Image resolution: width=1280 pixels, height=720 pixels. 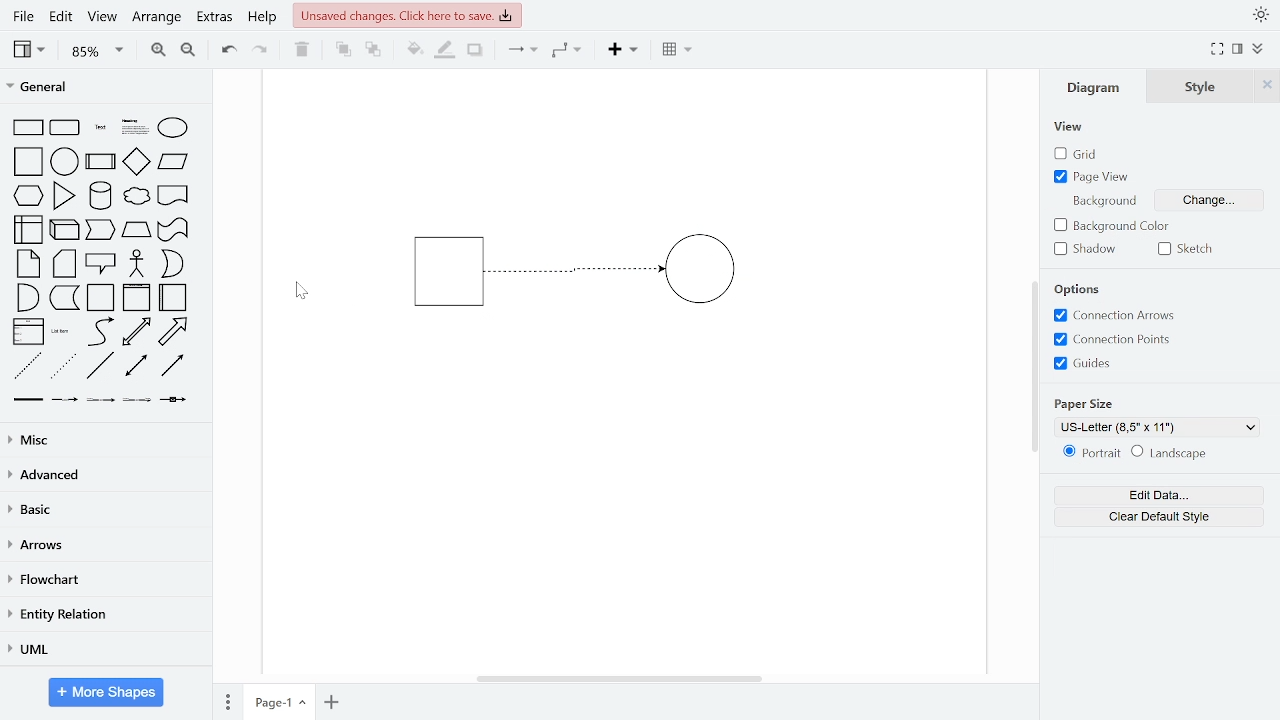 What do you see at coordinates (444, 50) in the screenshot?
I see `fill line` at bounding box center [444, 50].